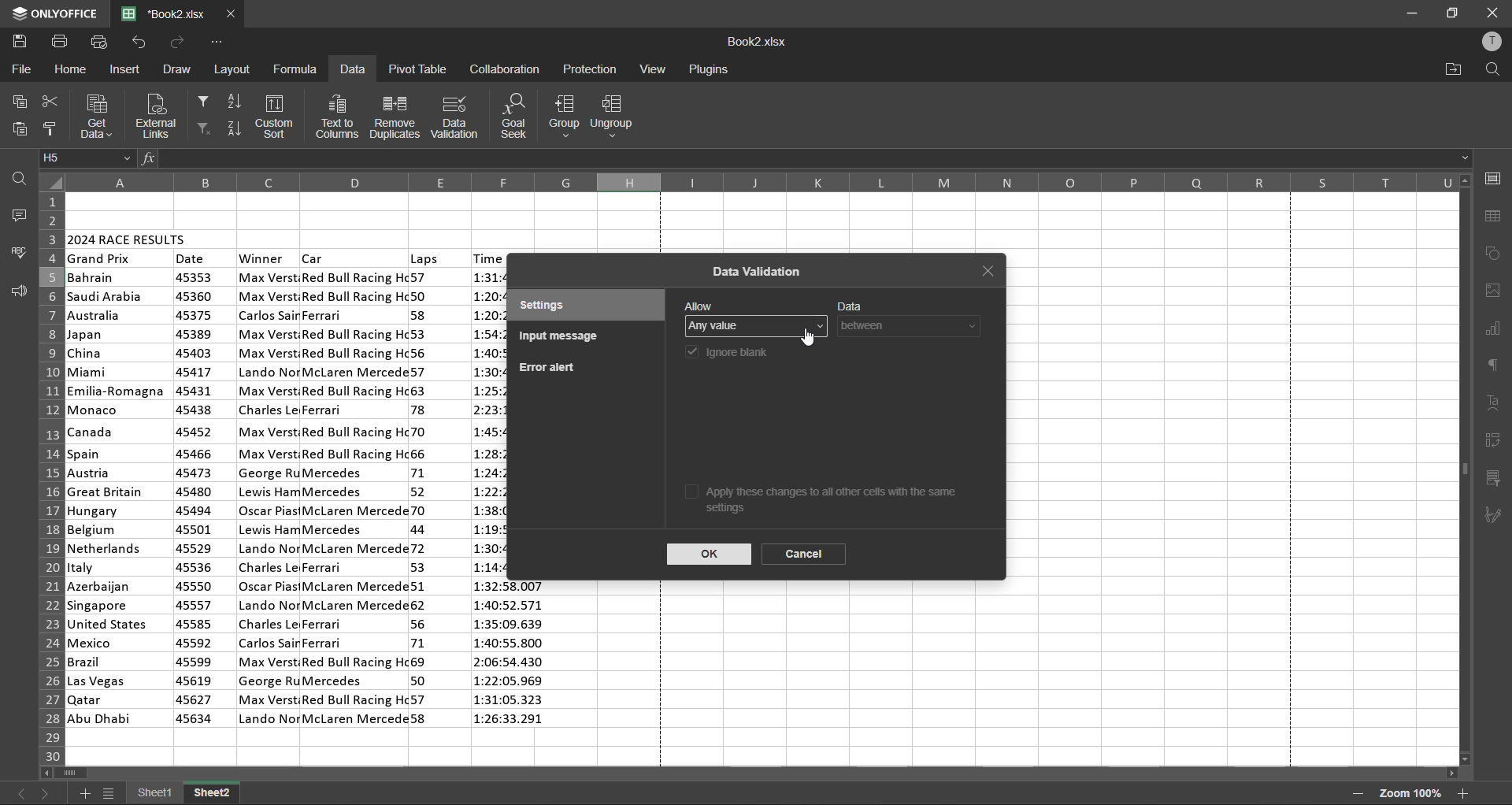 Image resolution: width=1512 pixels, height=805 pixels. Describe the element at coordinates (1495, 480) in the screenshot. I see `slicer` at that location.